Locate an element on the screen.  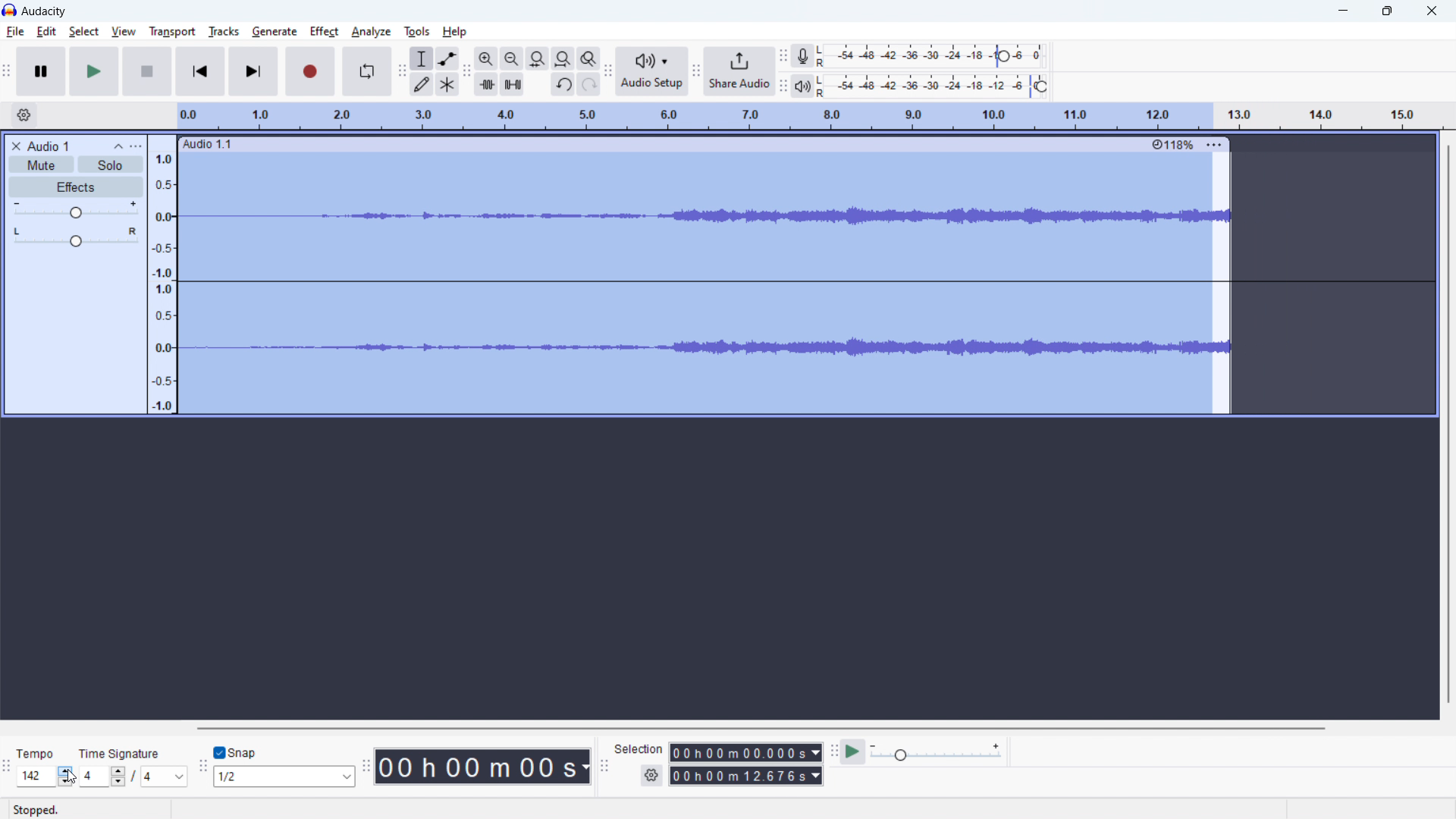
timeline settings is located at coordinates (24, 115).